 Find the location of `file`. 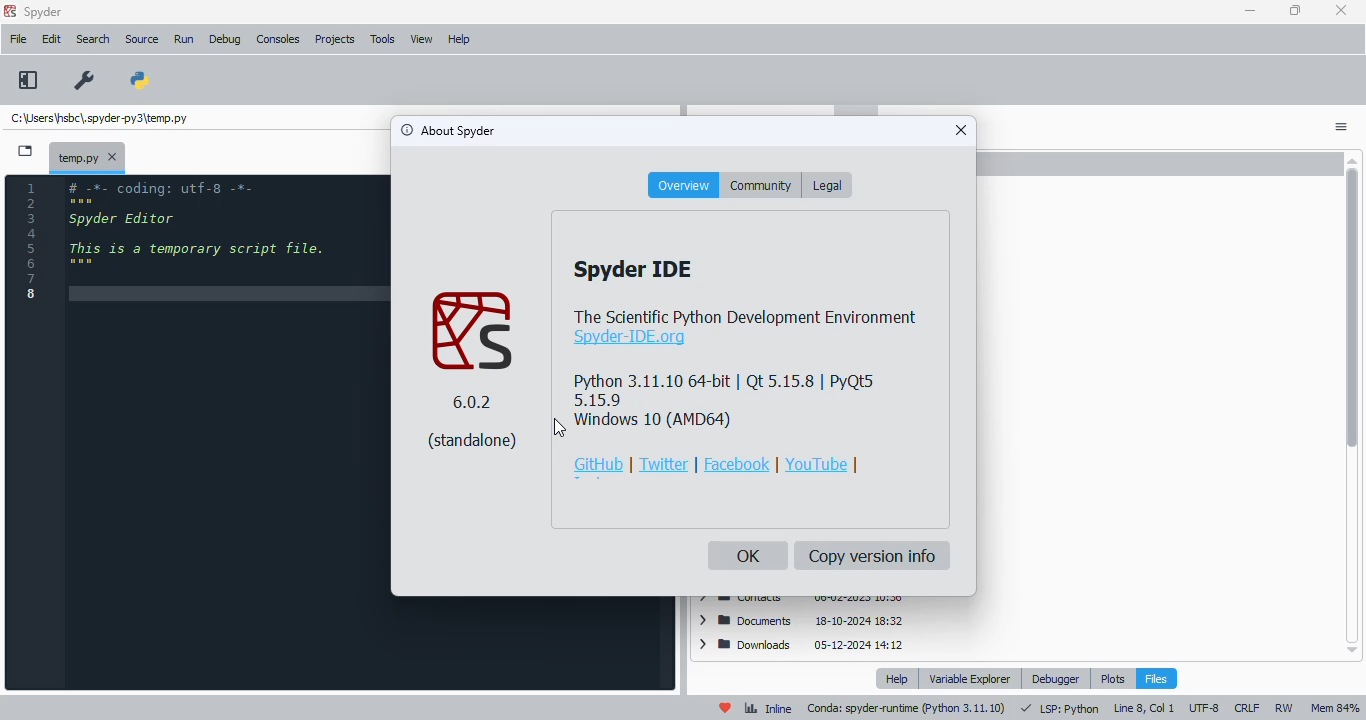

file is located at coordinates (18, 40).